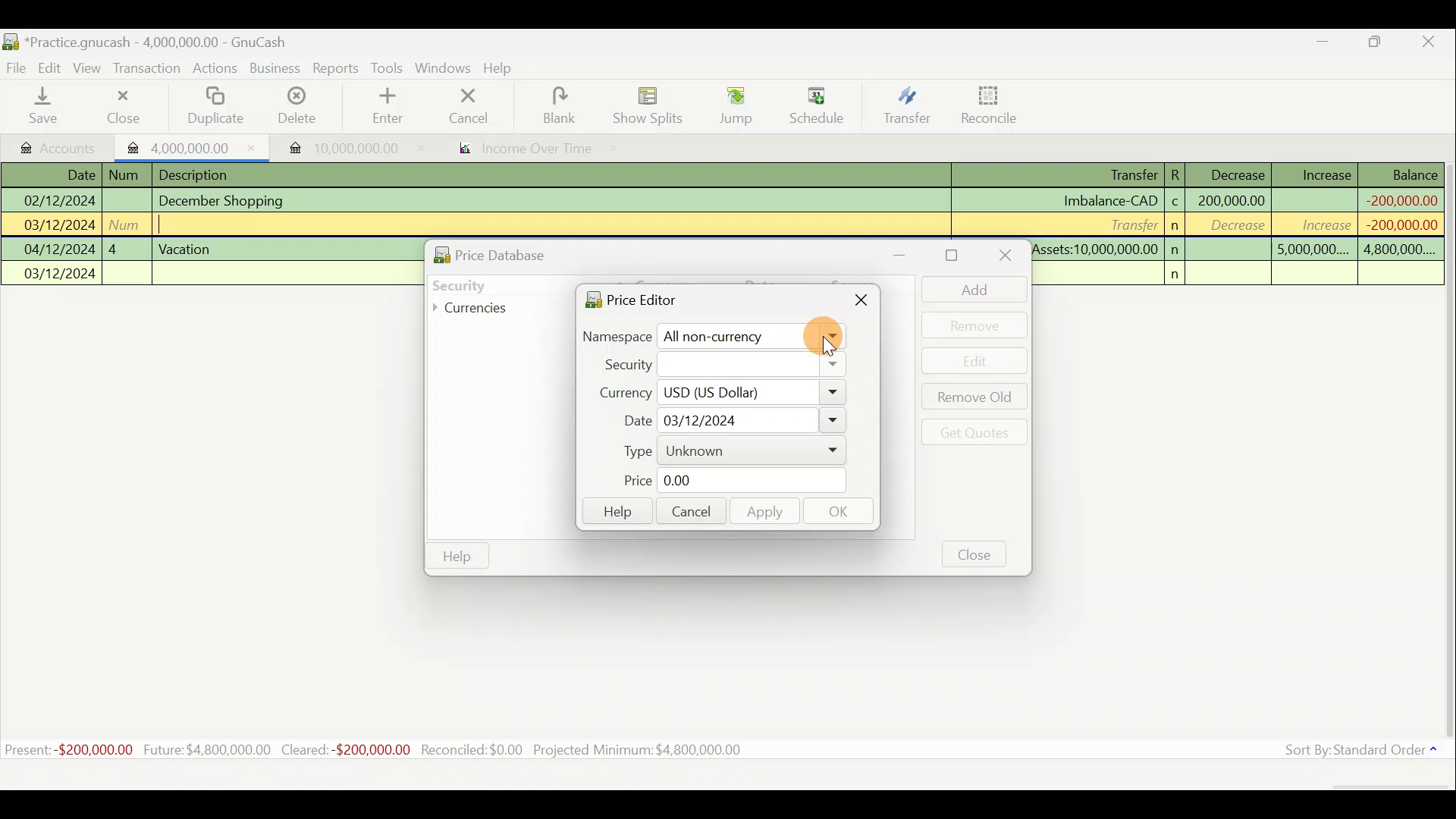 Image resolution: width=1456 pixels, height=819 pixels. Describe the element at coordinates (713, 364) in the screenshot. I see `Security` at that location.